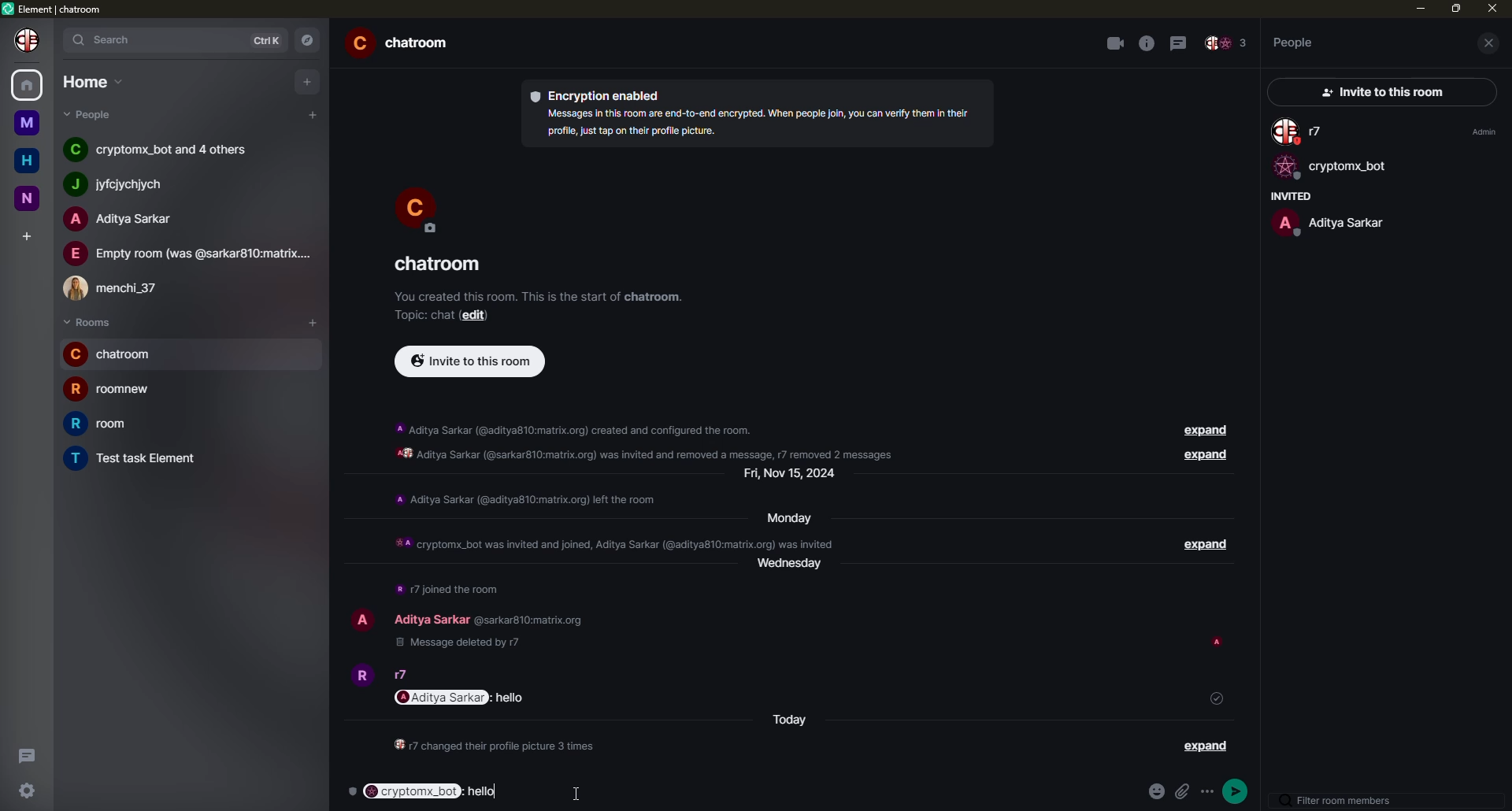 The height and width of the screenshot is (811, 1512). I want to click on invited, so click(1288, 196).